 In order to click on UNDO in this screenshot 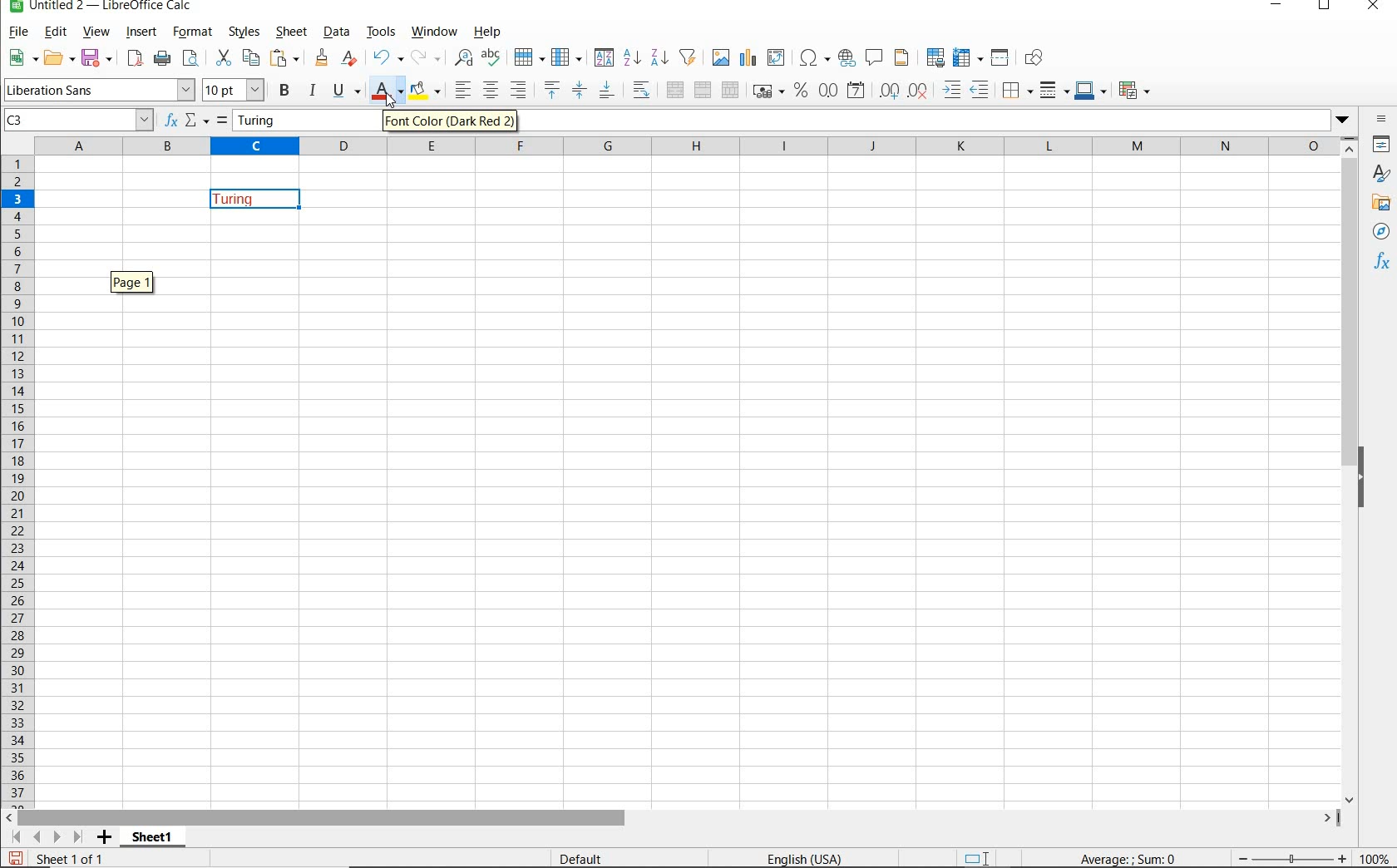, I will do `click(388, 58)`.